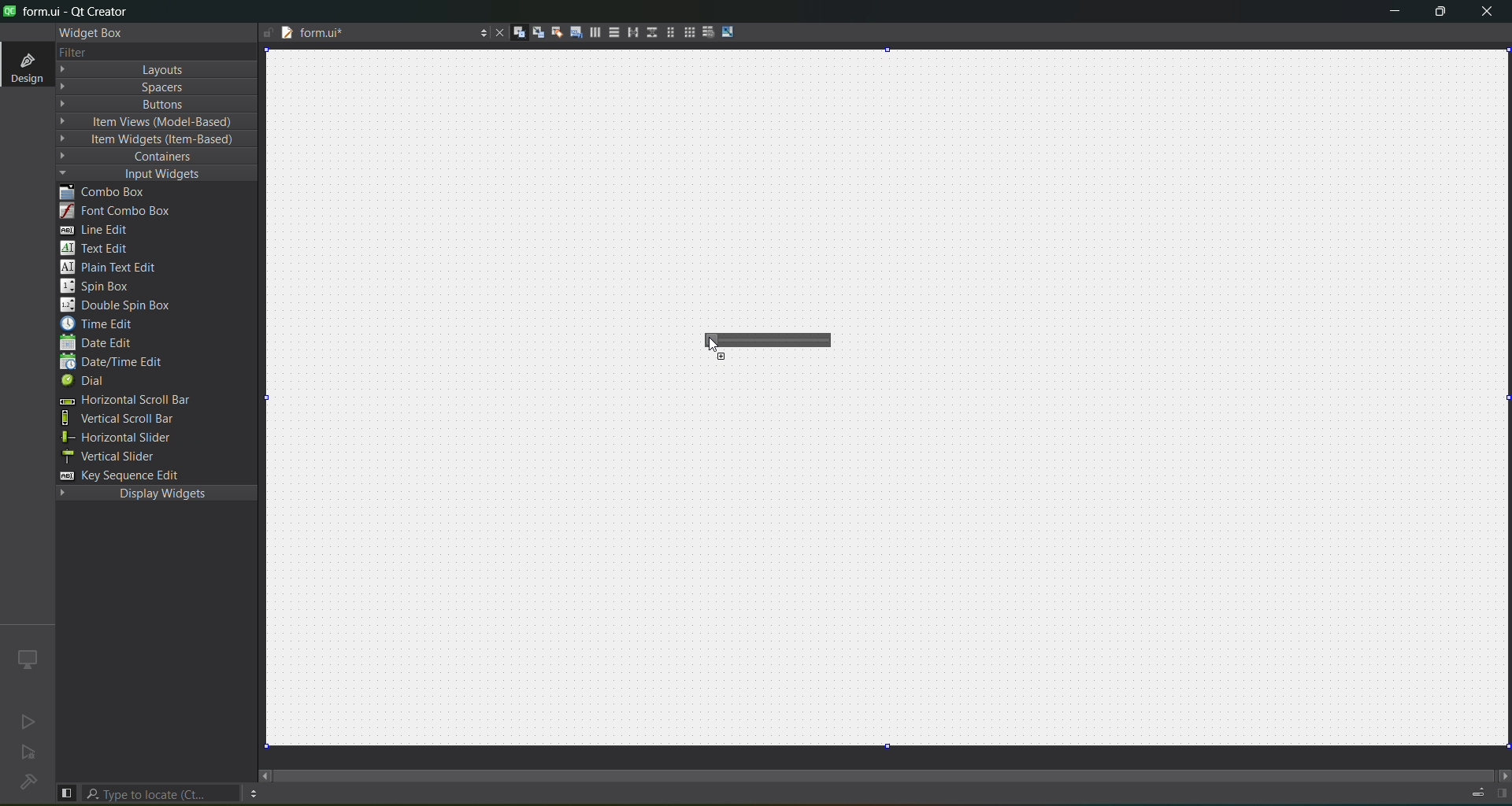  I want to click on close document, so click(498, 31).